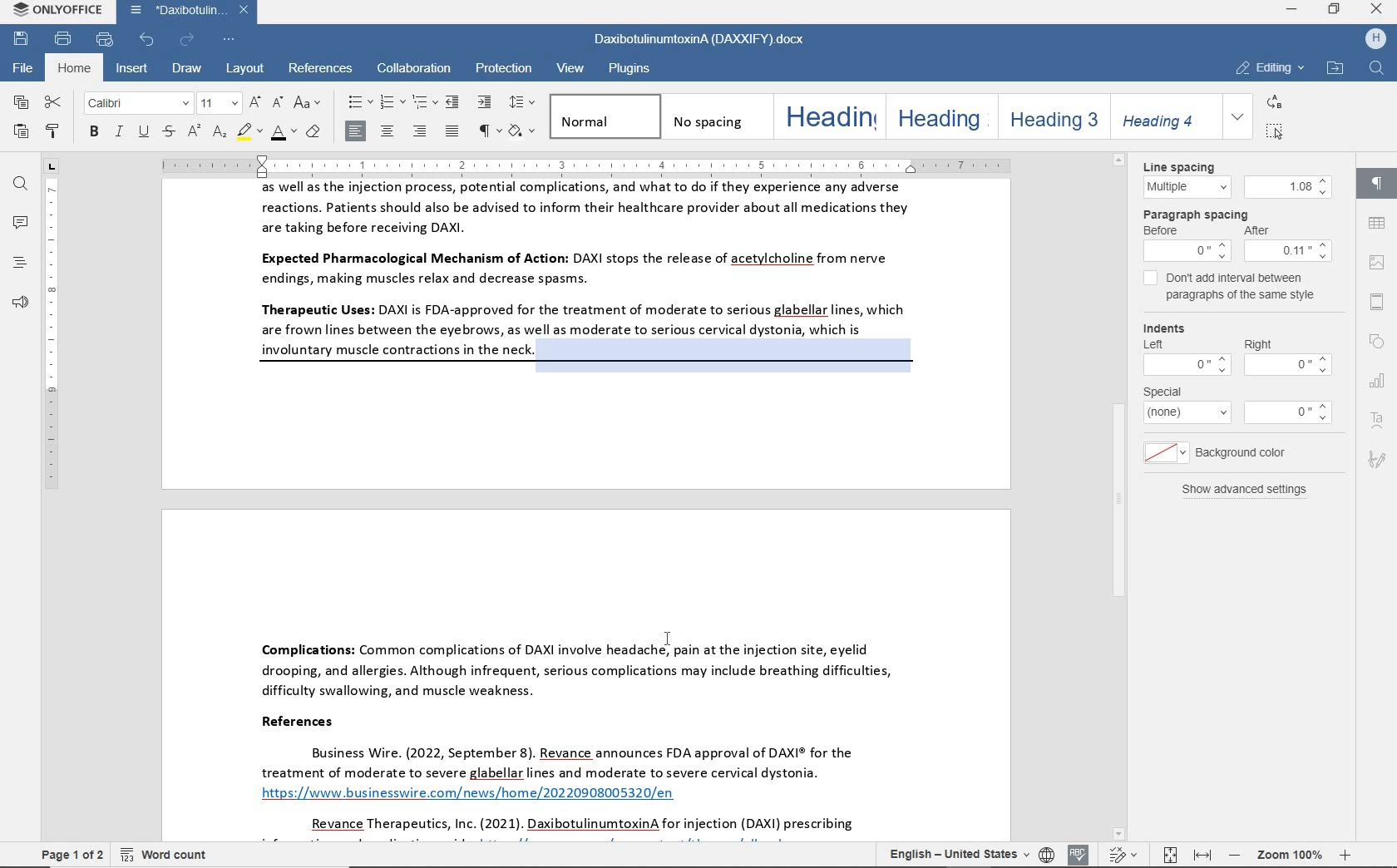 The image size is (1397, 868). Describe the element at coordinates (1378, 379) in the screenshot. I see `chart` at that location.